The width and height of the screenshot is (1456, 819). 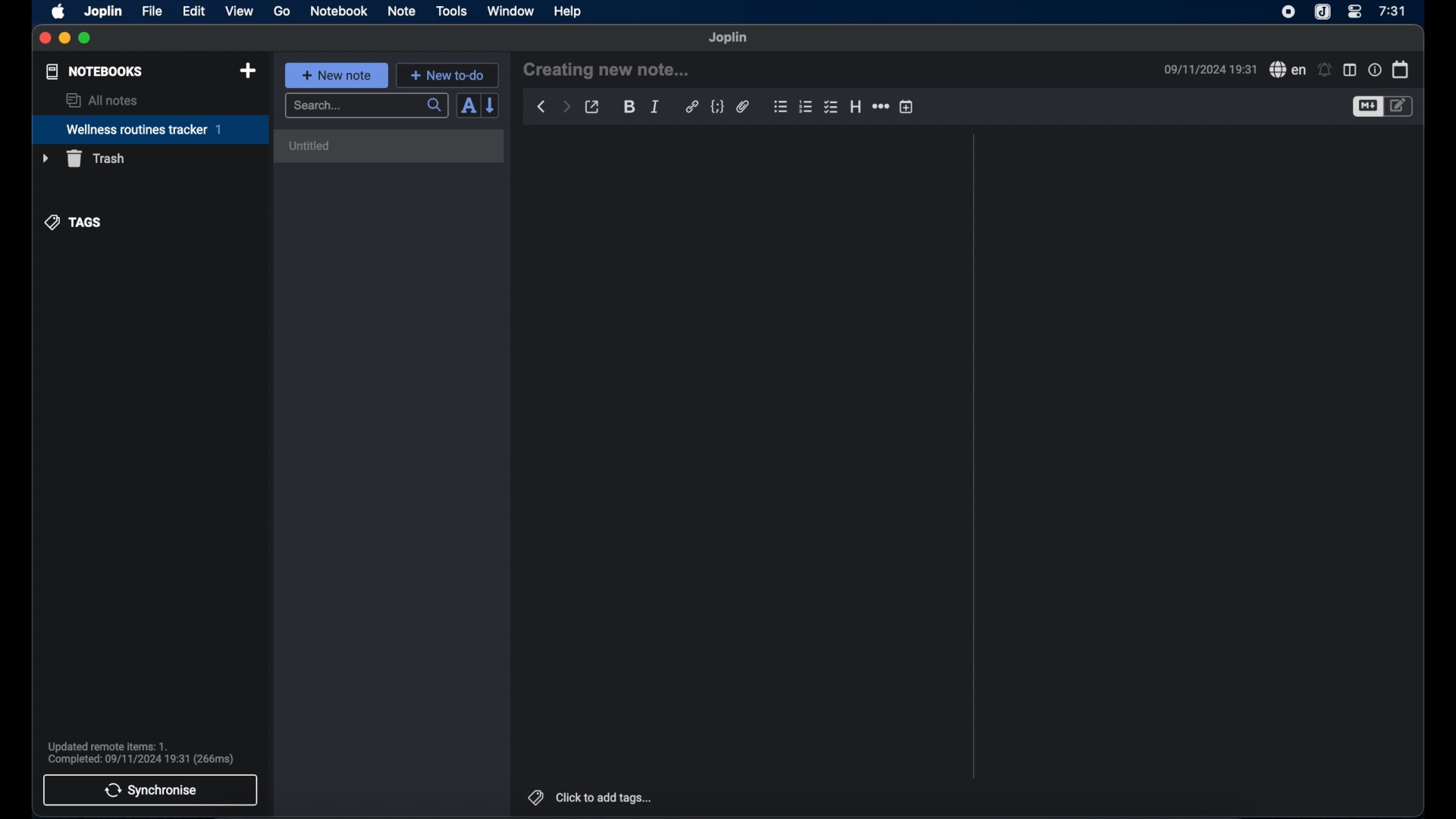 I want to click on italic, so click(x=655, y=107).